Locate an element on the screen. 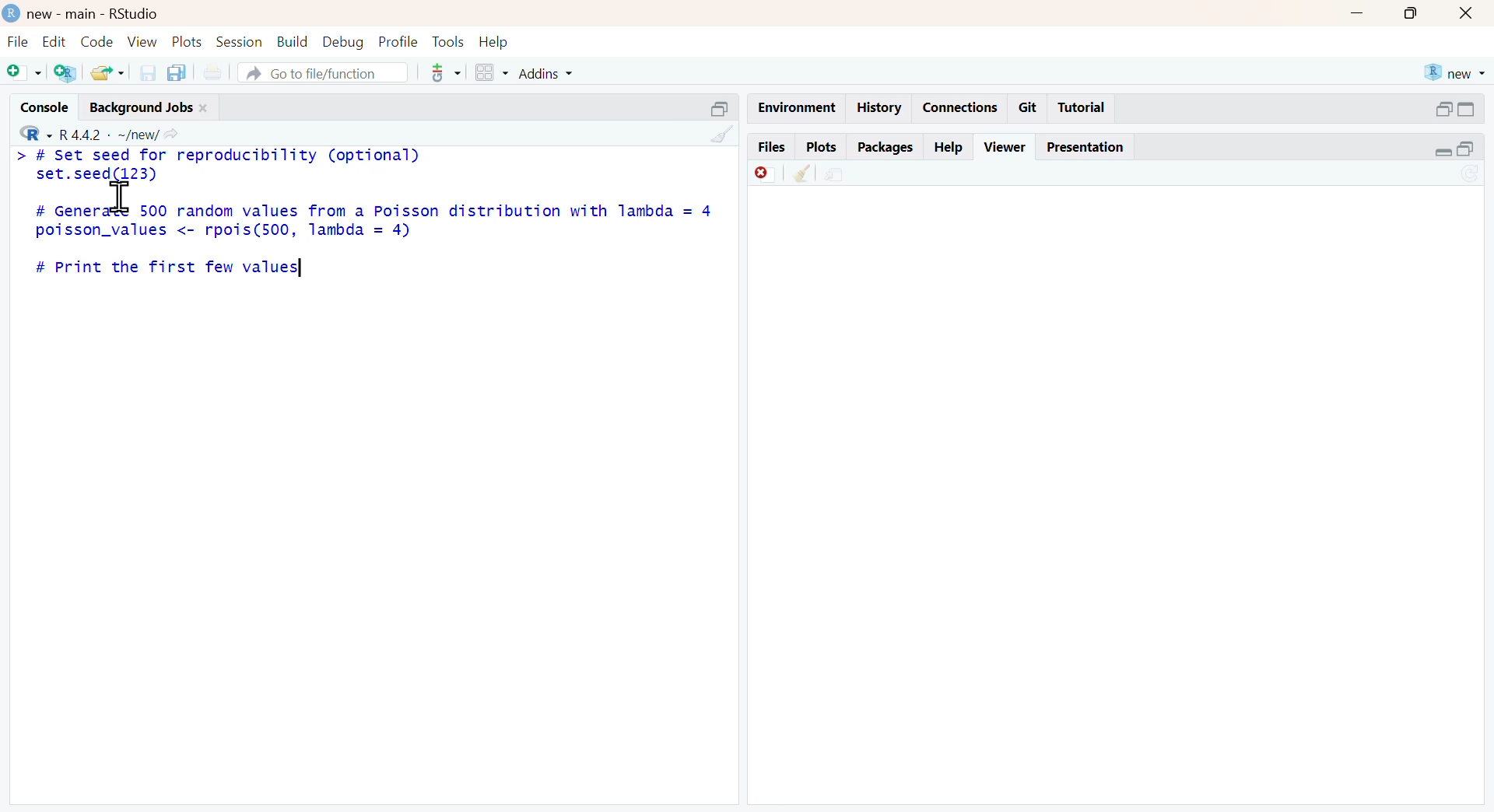 This screenshot has height=812, width=1494. packages is located at coordinates (886, 148).